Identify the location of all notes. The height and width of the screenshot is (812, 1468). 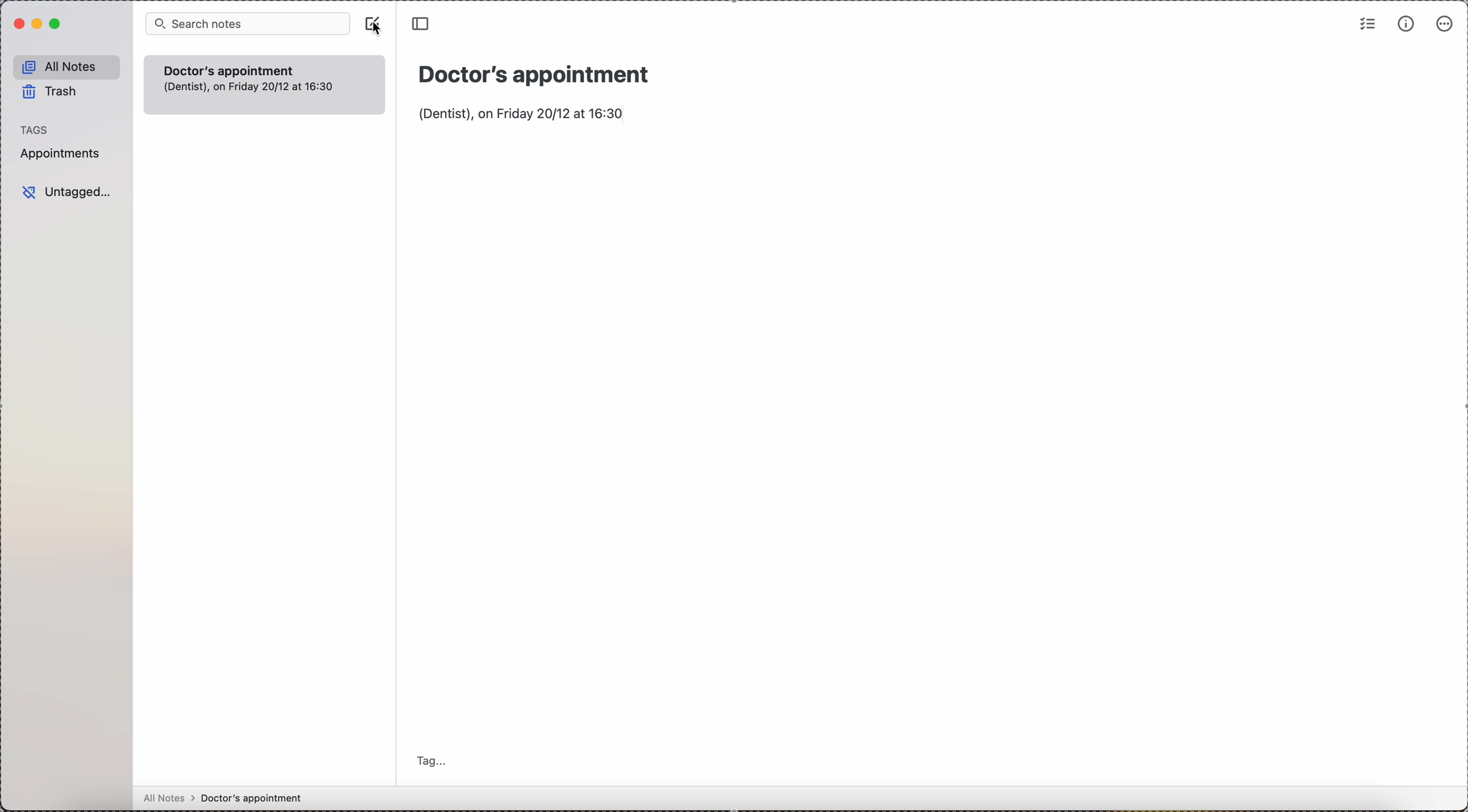
(229, 798).